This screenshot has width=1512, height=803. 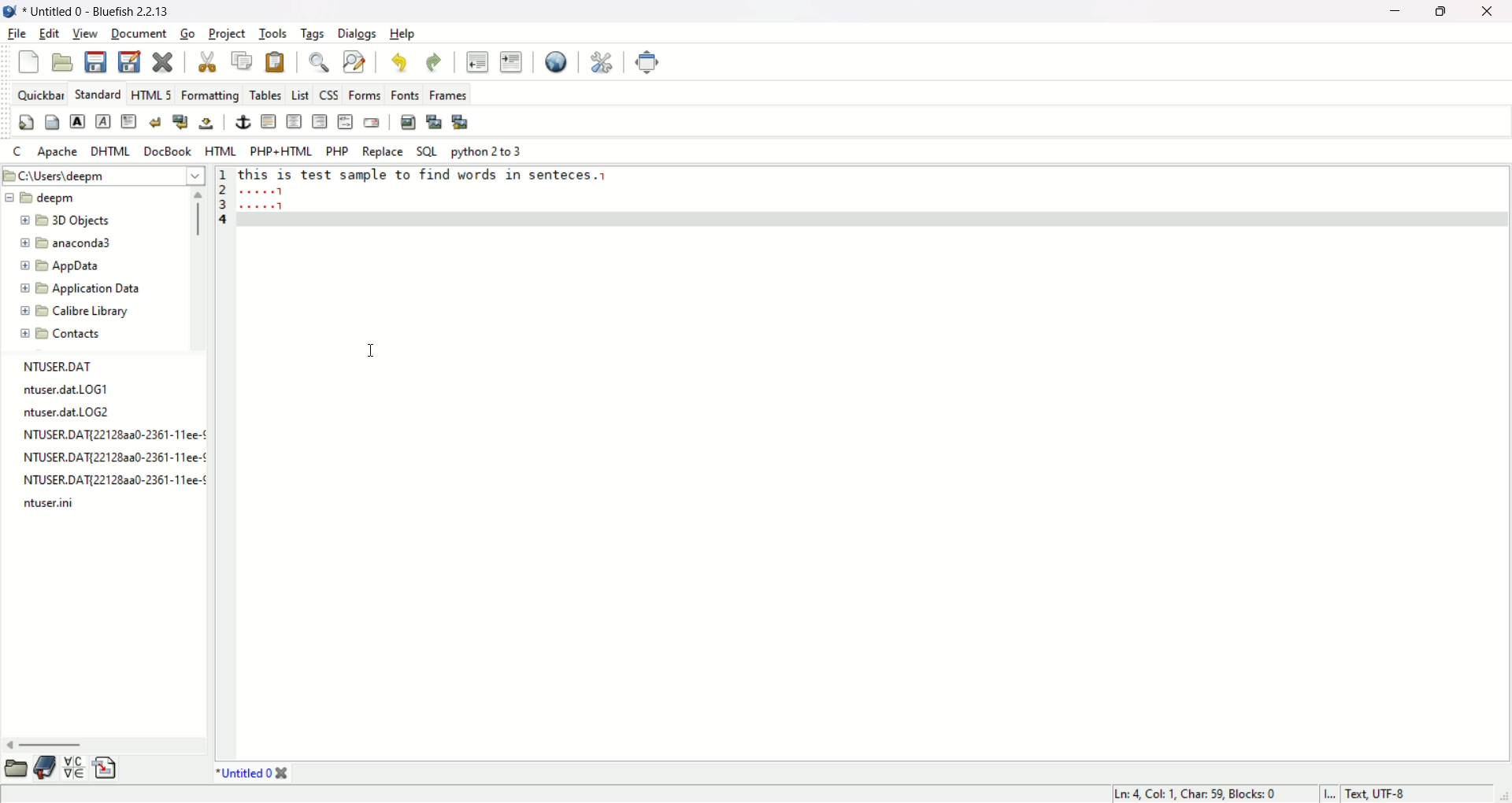 What do you see at coordinates (74, 769) in the screenshot?
I see `charmap` at bounding box center [74, 769].